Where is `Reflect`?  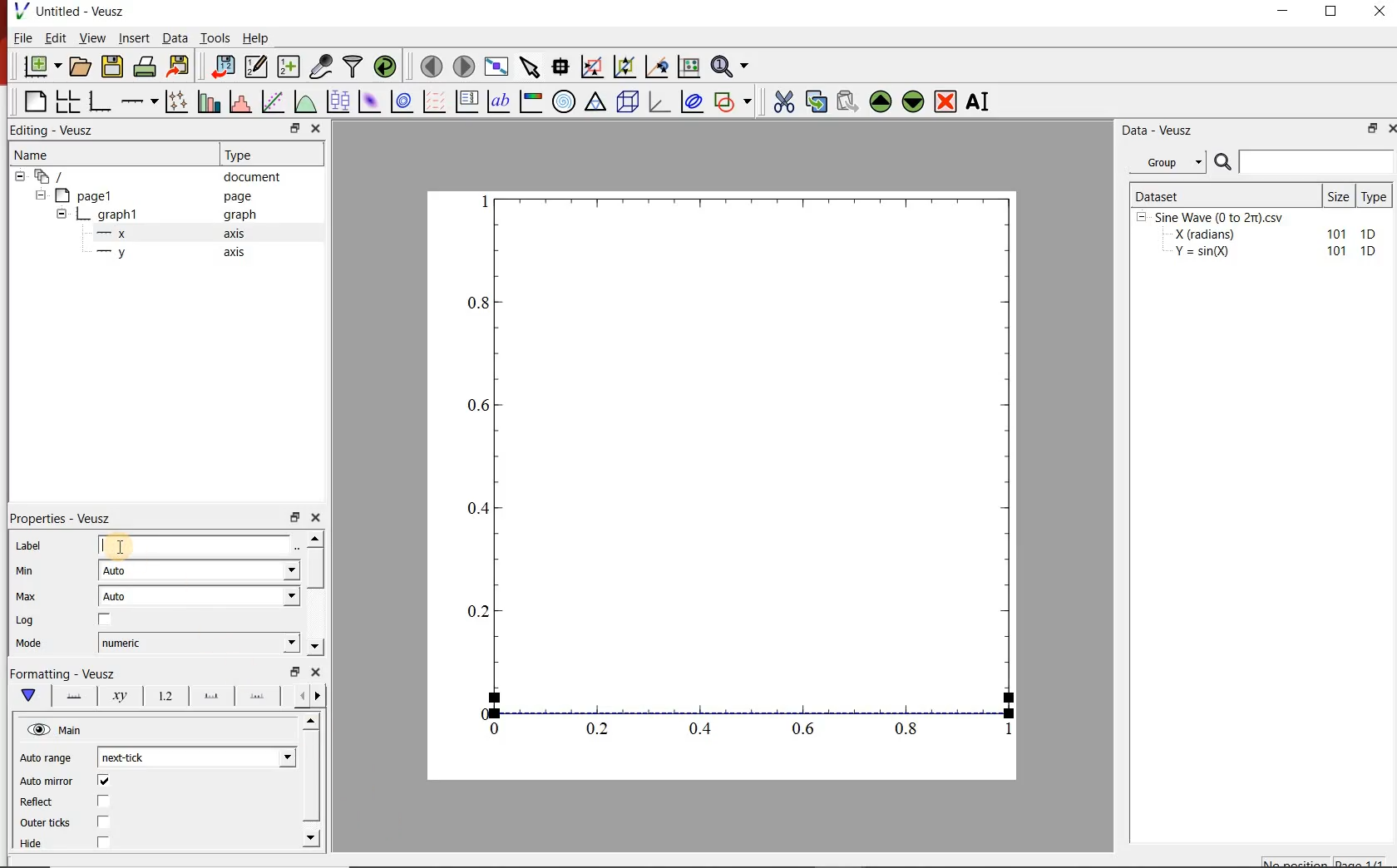 Reflect is located at coordinates (38, 802).